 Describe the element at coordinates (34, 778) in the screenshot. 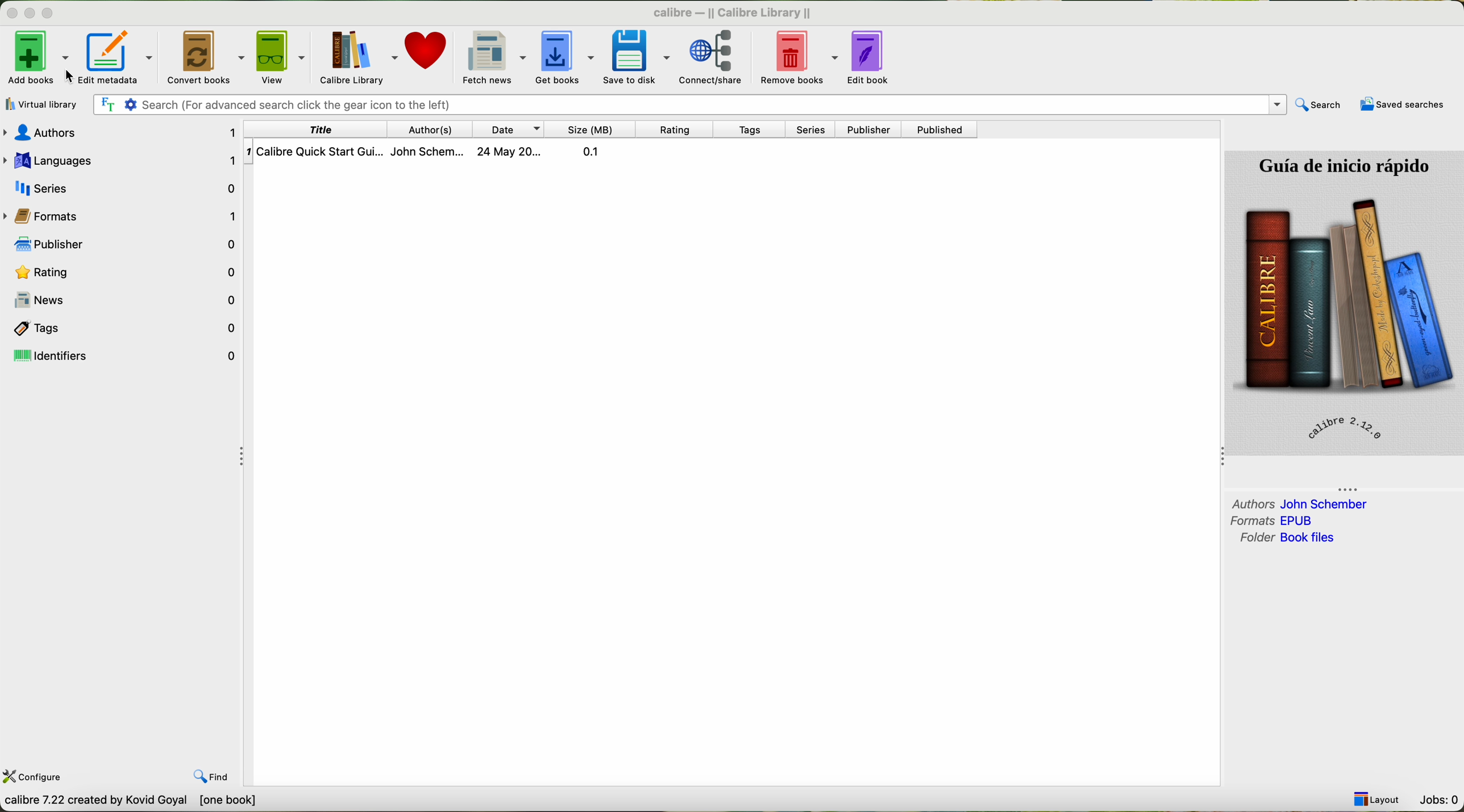

I see `configure` at that location.